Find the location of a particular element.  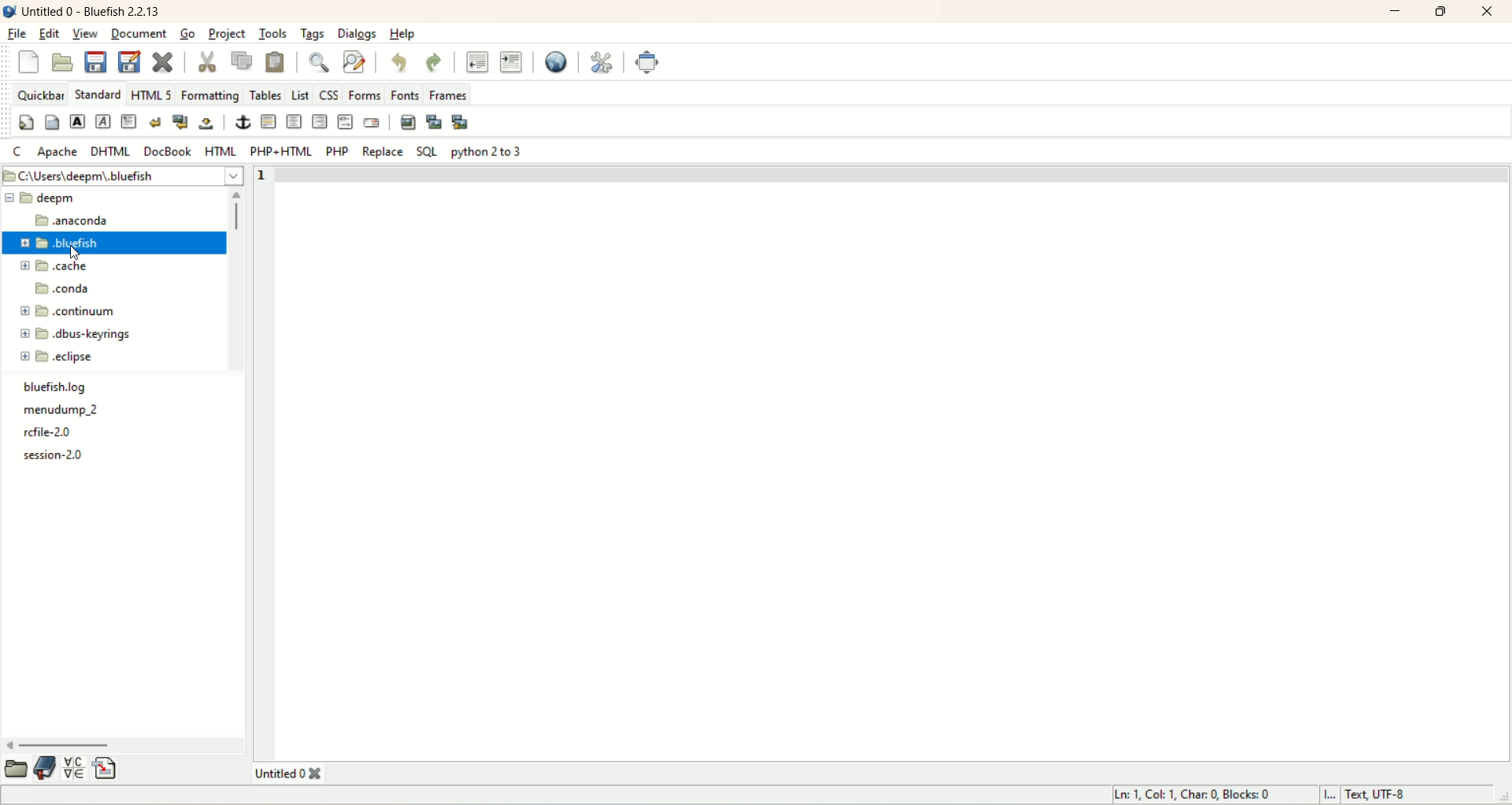

undo is located at coordinates (401, 63).